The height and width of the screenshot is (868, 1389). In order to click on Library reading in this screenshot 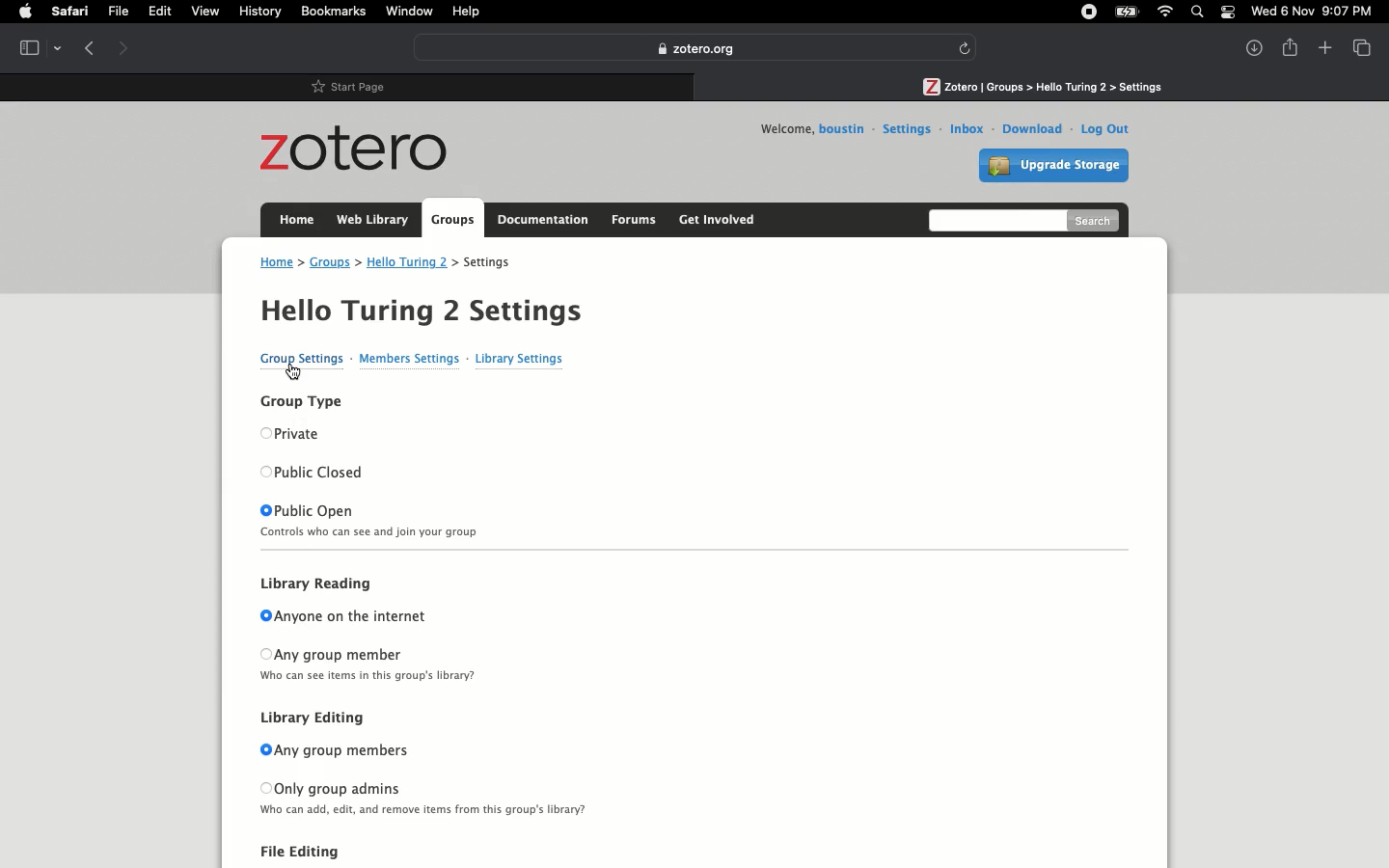, I will do `click(319, 583)`.